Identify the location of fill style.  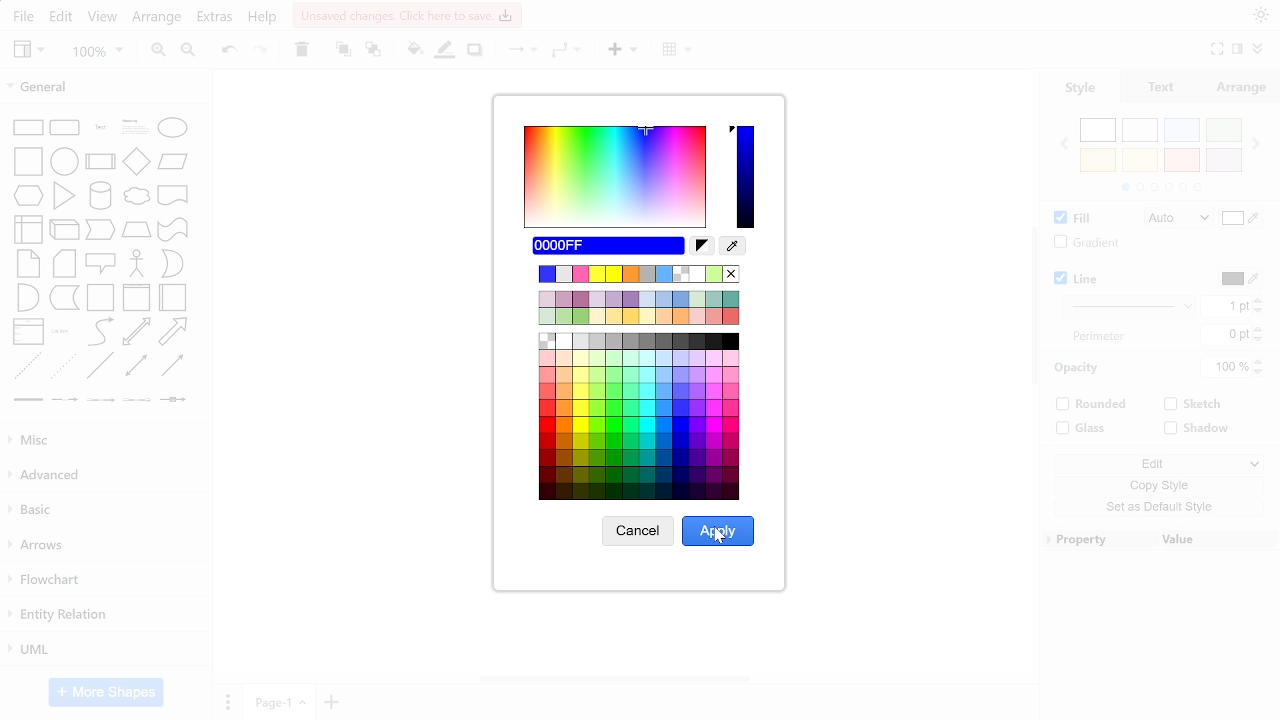
(1174, 219).